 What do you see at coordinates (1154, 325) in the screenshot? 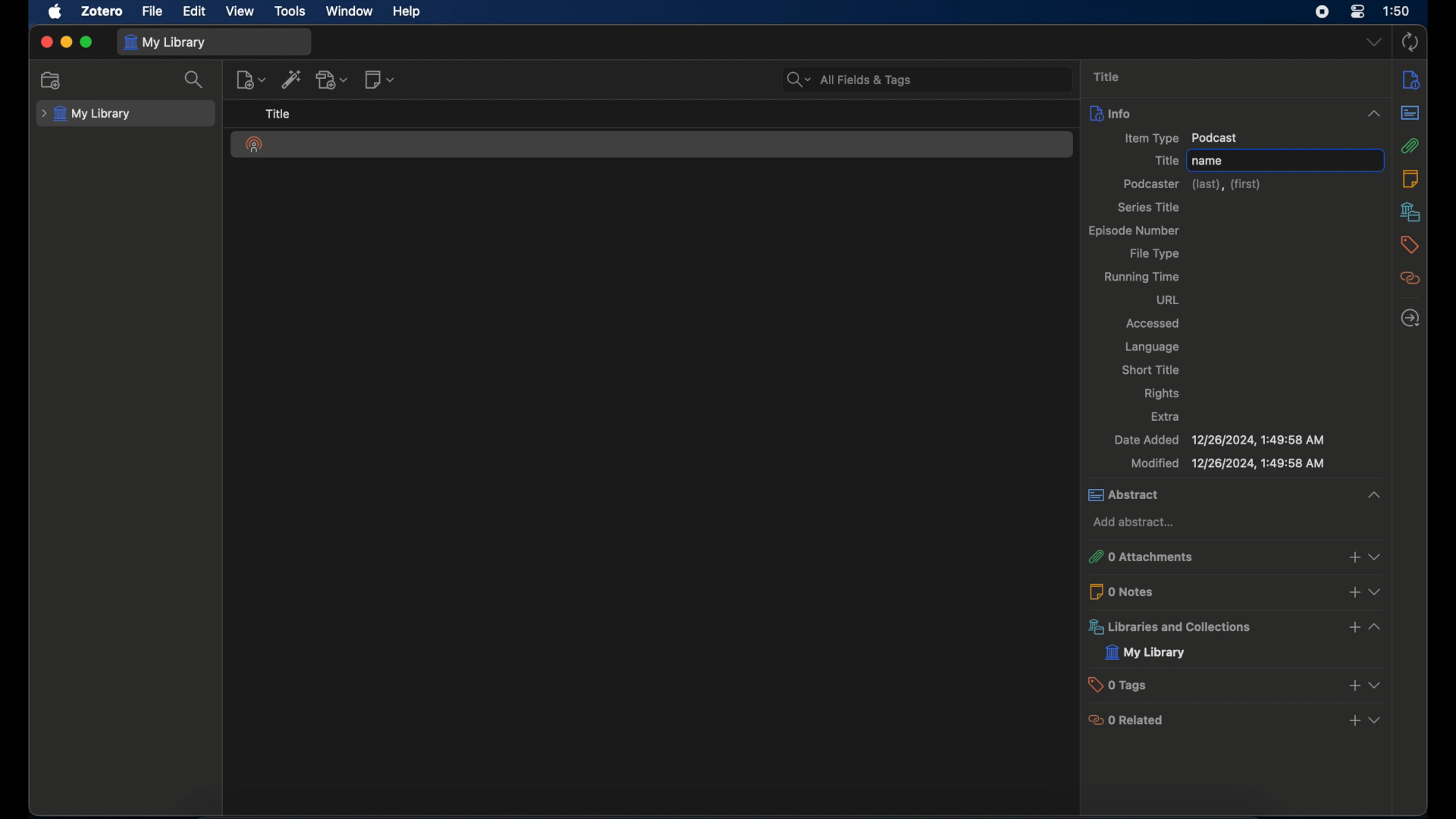
I see `accessed` at bounding box center [1154, 325].